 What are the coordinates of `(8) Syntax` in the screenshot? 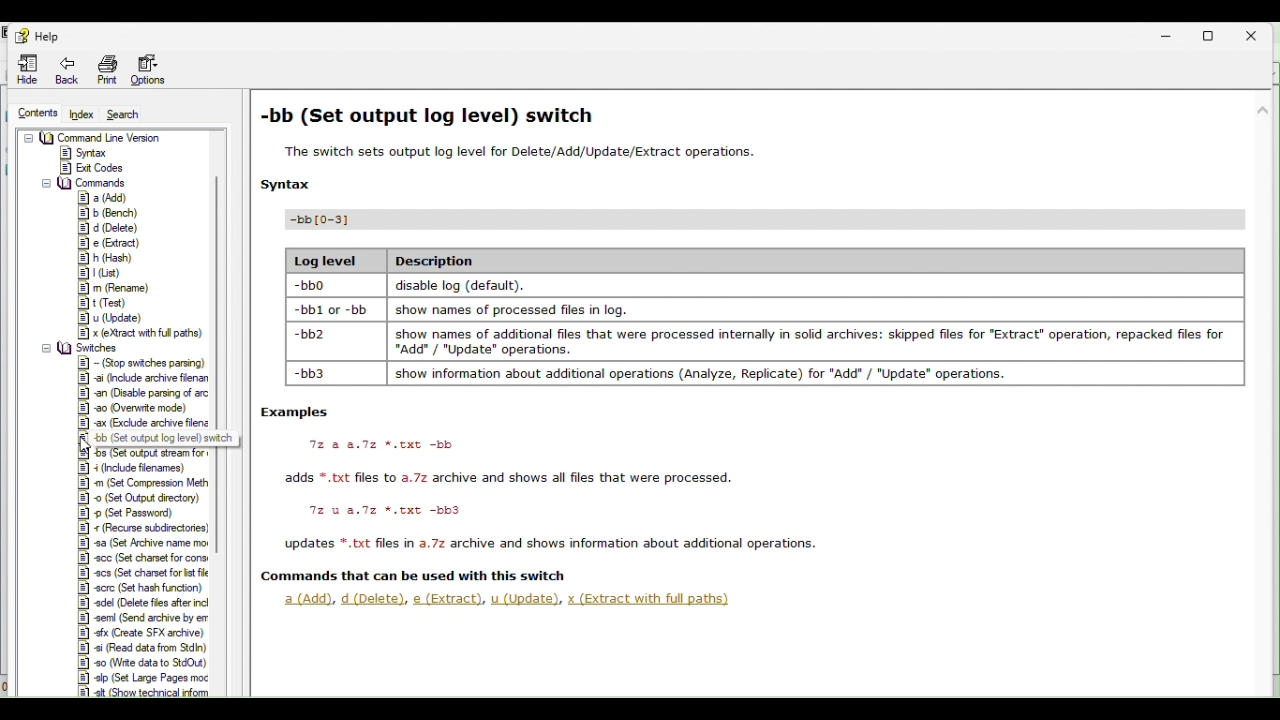 It's located at (85, 152).